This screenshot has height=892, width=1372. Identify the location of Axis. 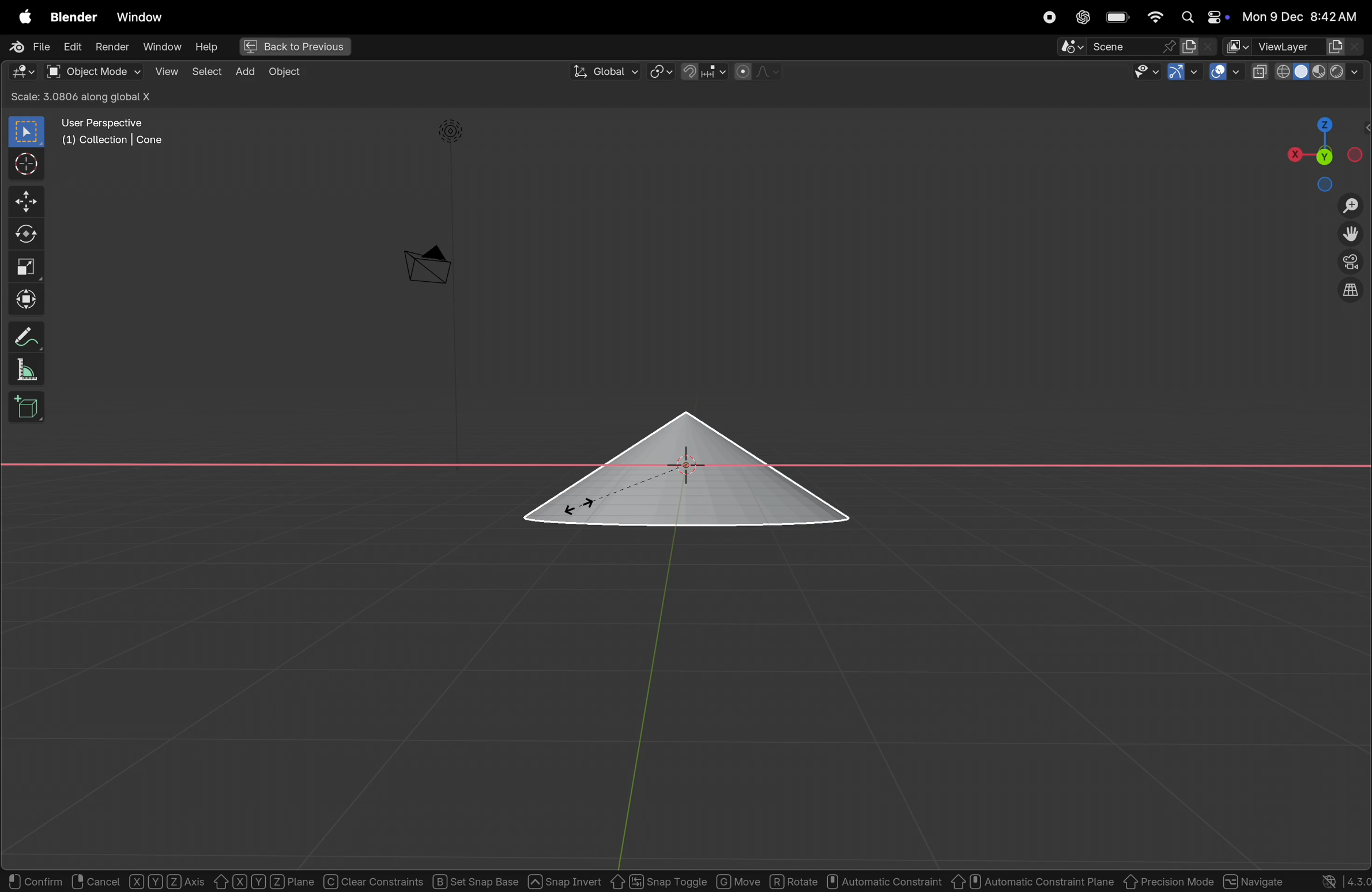
(168, 881).